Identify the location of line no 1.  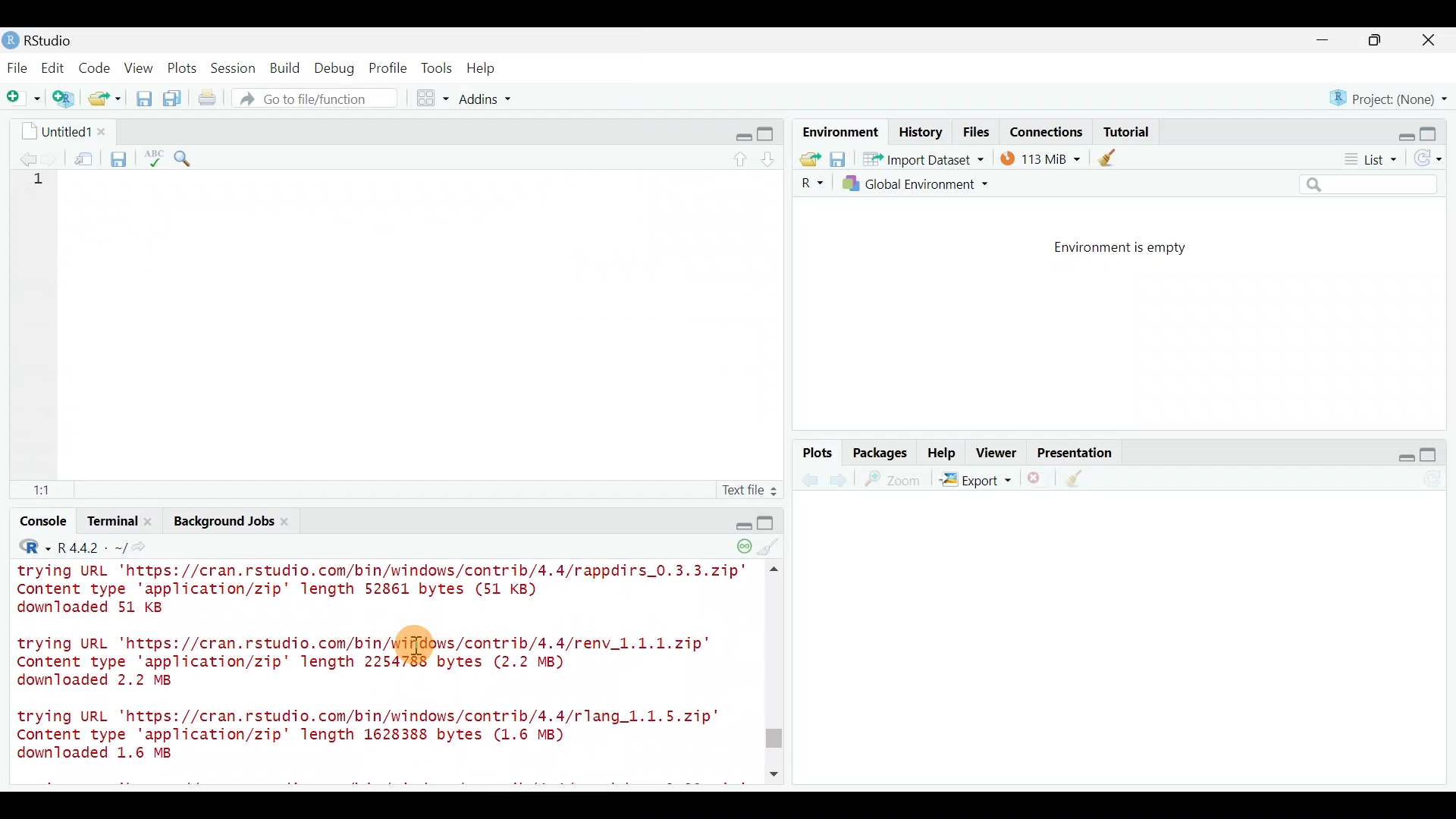
(45, 181).